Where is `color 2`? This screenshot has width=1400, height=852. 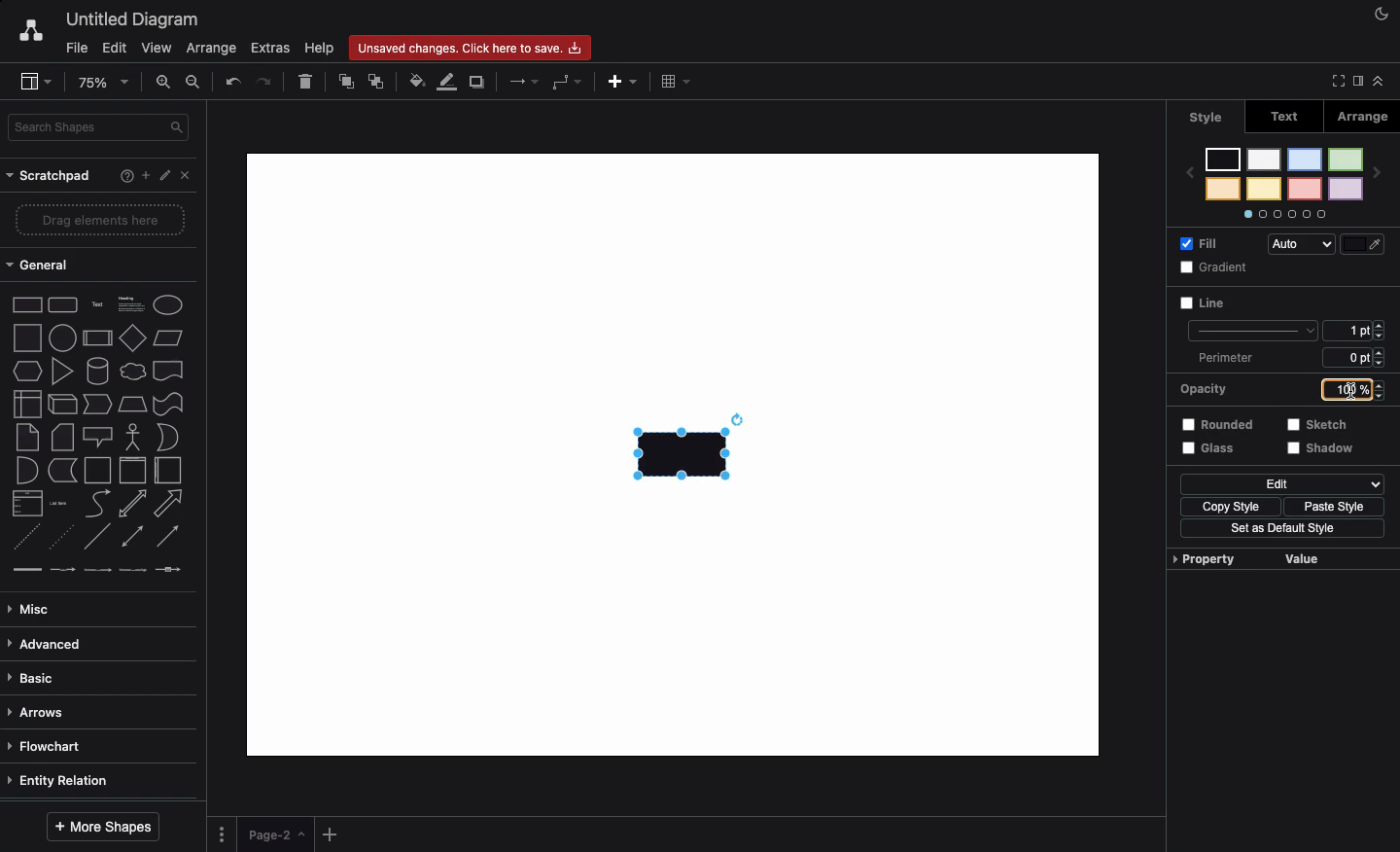
color 2 is located at coordinates (1346, 189).